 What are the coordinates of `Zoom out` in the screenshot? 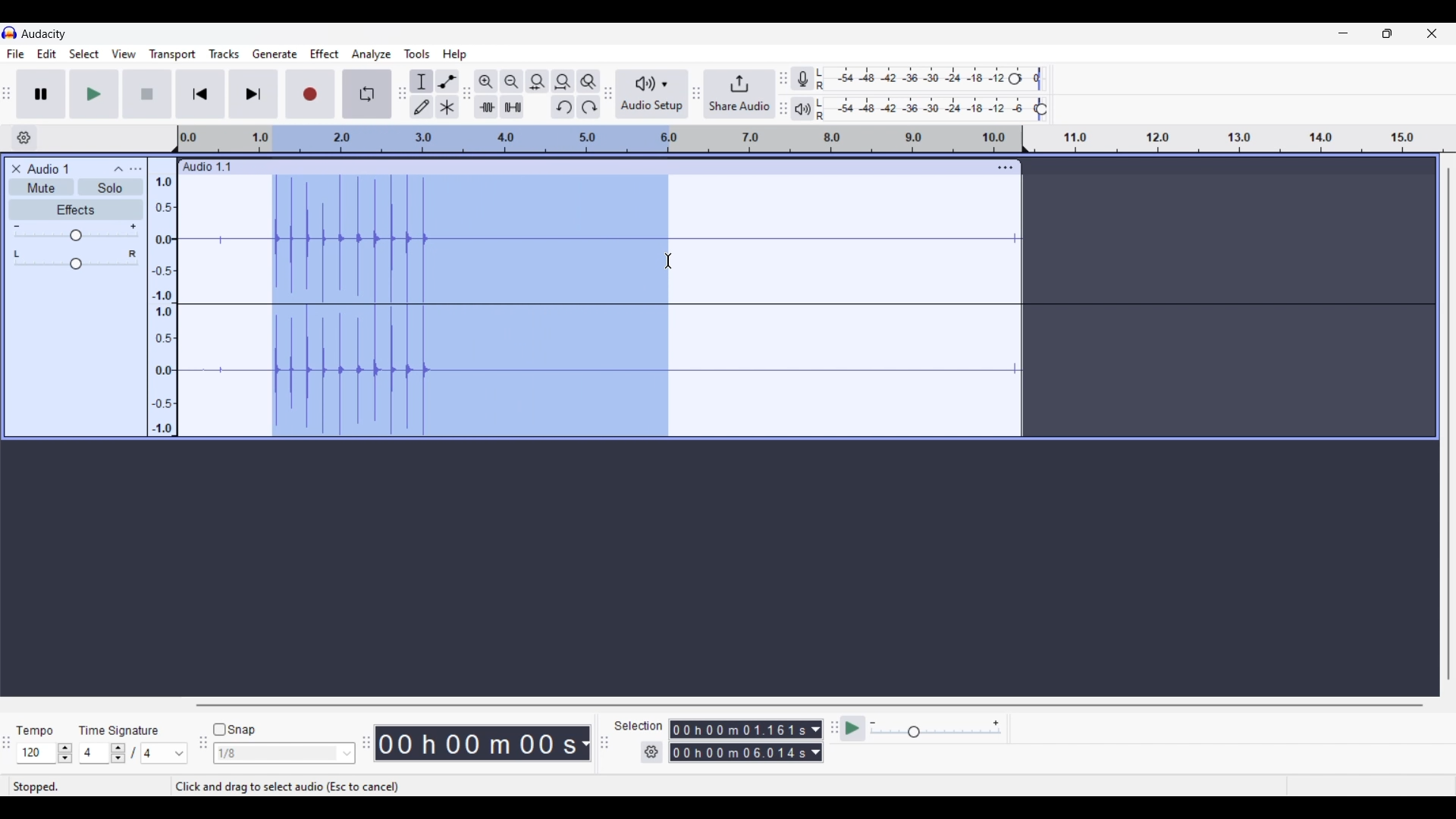 It's located at (511, 80).